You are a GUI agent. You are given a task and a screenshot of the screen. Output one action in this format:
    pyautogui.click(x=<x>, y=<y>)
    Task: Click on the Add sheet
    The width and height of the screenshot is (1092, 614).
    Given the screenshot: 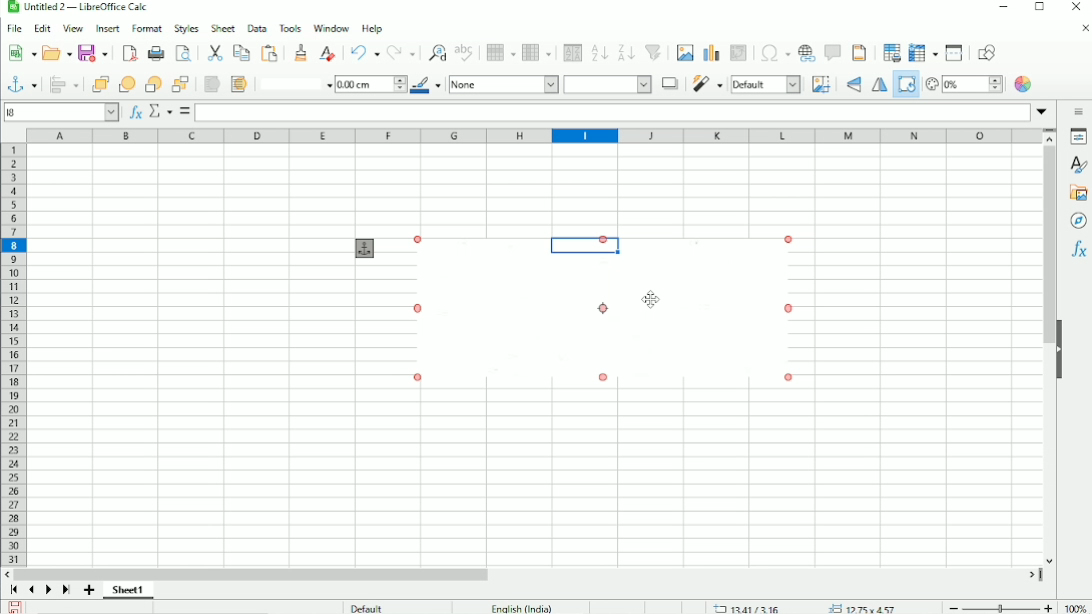 What is the action you would take?
    pyautogui.click(x=88, y=590)
    